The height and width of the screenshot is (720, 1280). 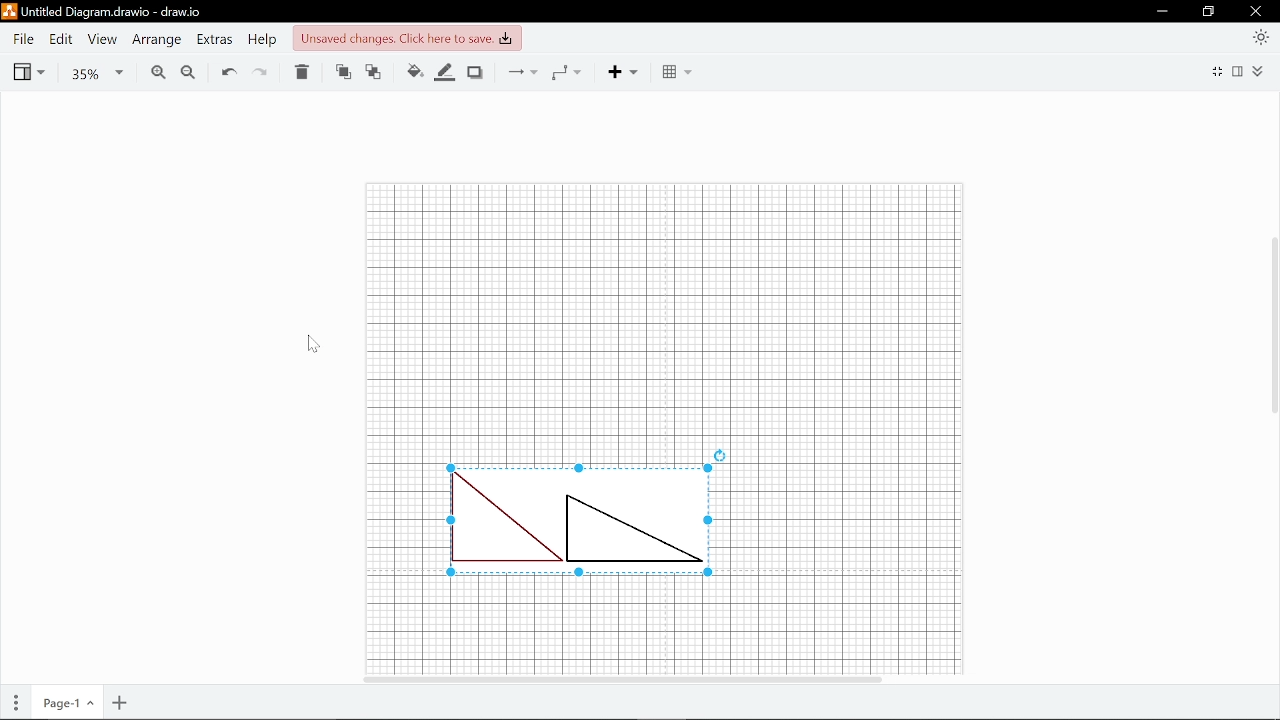 I want to click on File, so click(x=24, y=39).